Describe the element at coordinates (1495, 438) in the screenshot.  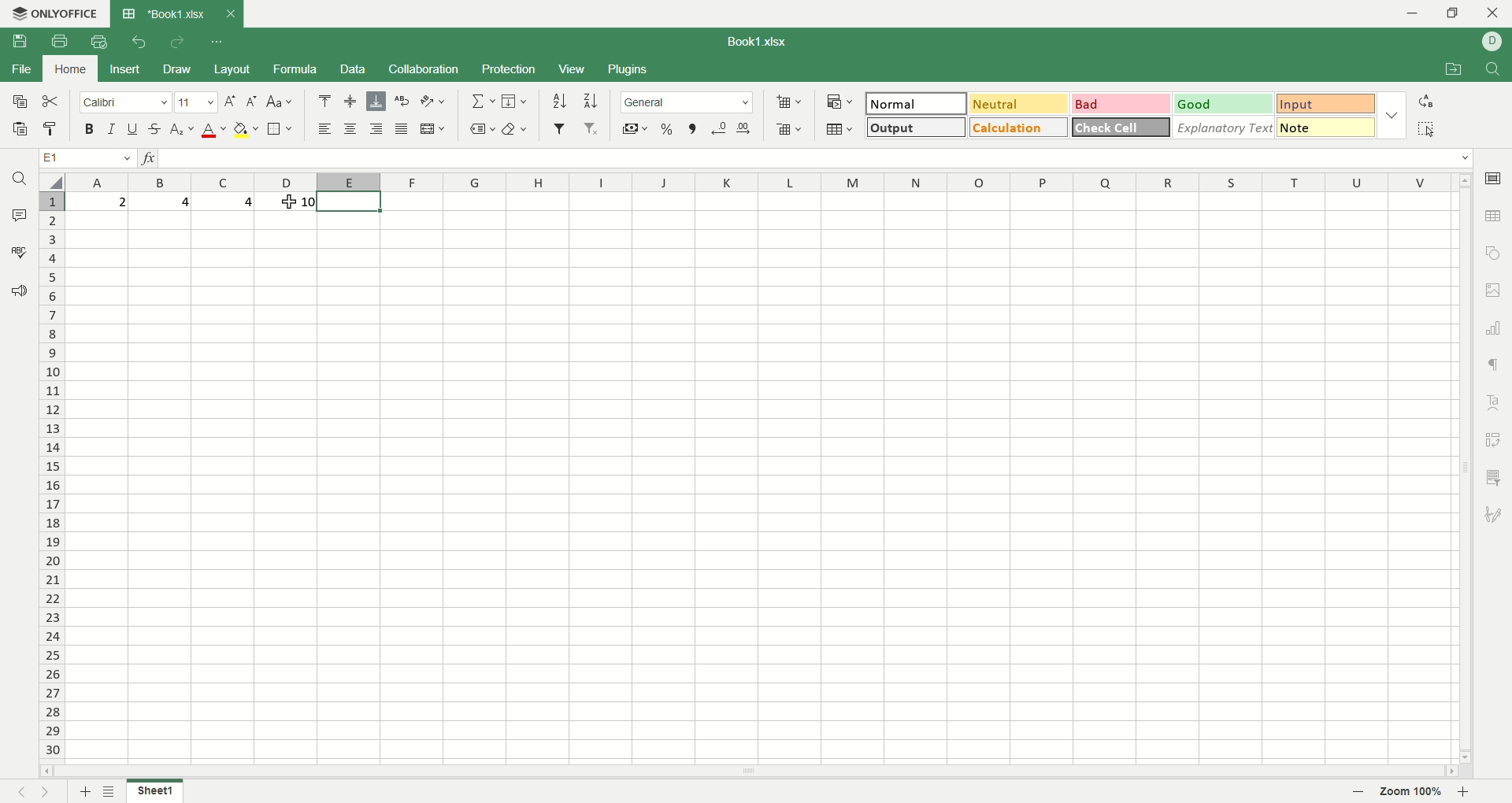
I see `pivot settings` at that location.